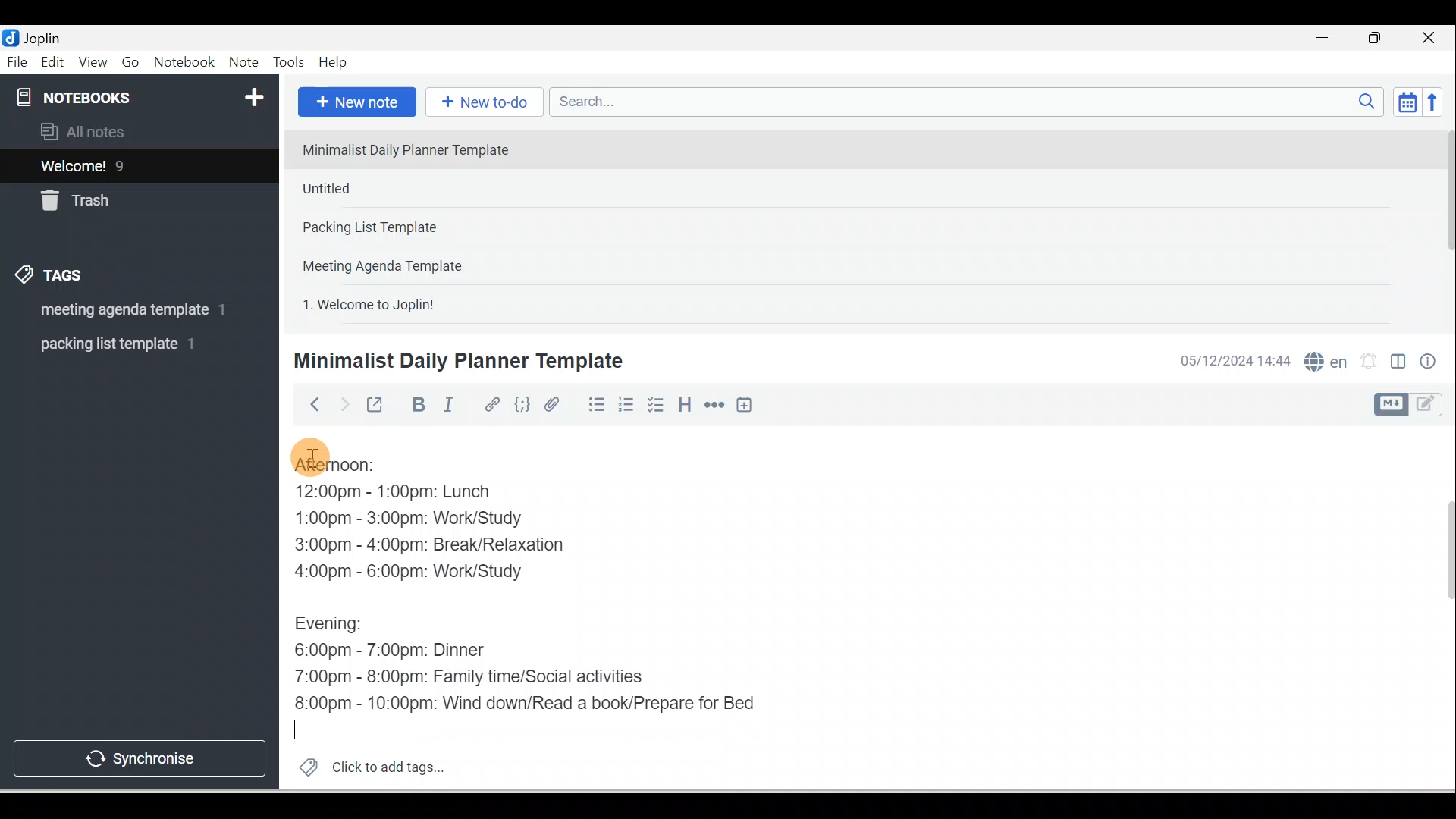 The image size is (1456, 819). I want to click on Tags, so click(54, 278).